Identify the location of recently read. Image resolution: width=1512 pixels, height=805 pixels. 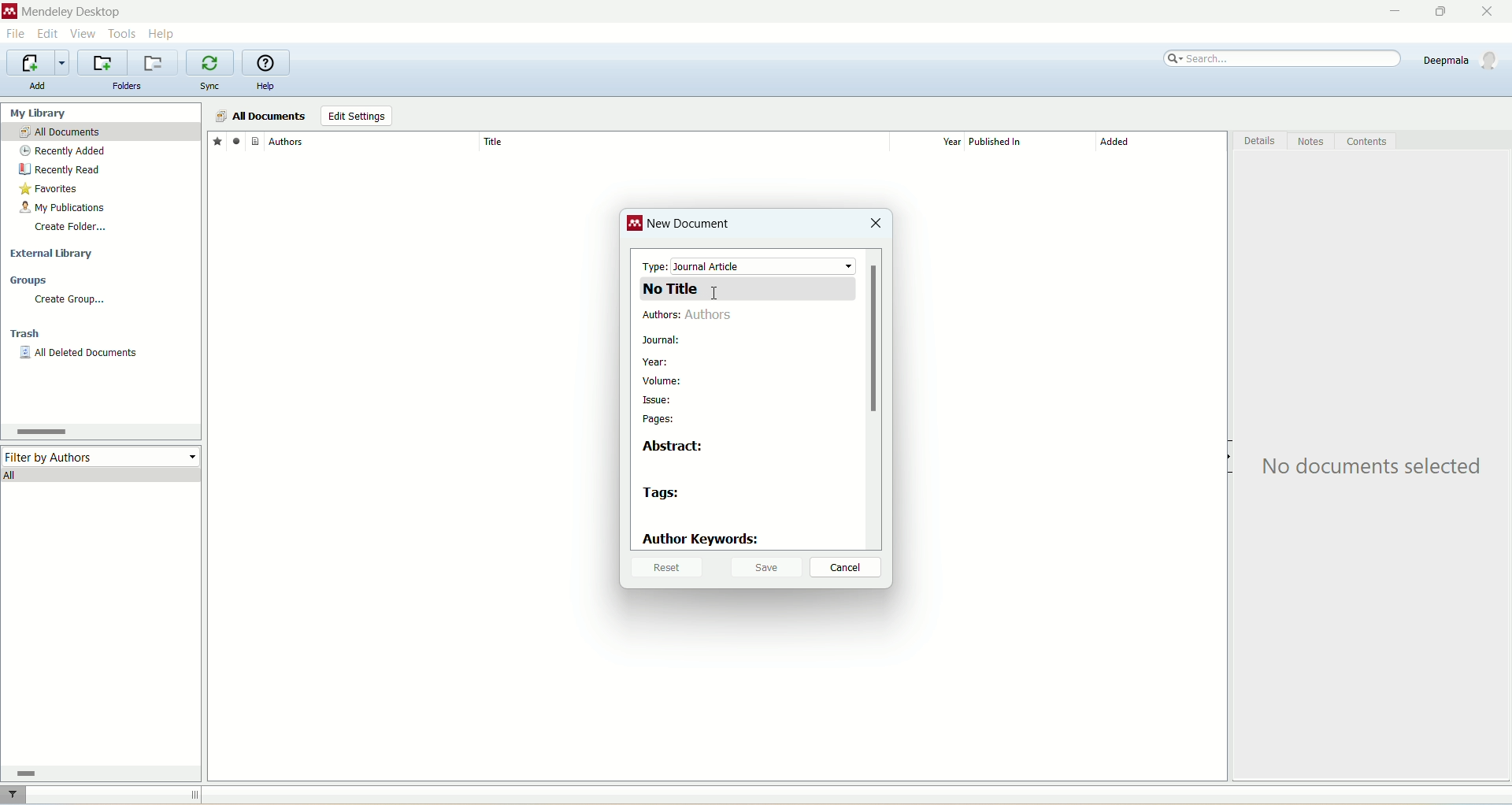
(59, 169).